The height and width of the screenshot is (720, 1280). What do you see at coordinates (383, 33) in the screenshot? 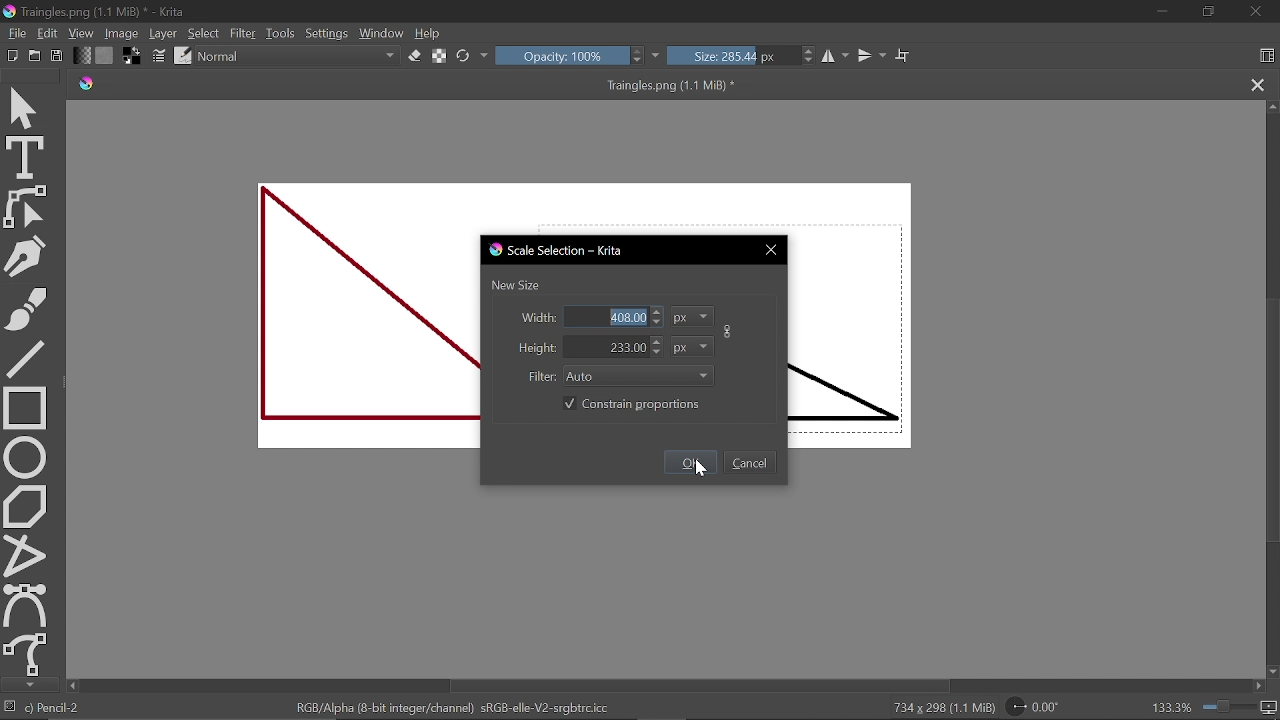
I see `Window` at bounding box center [383, 33].